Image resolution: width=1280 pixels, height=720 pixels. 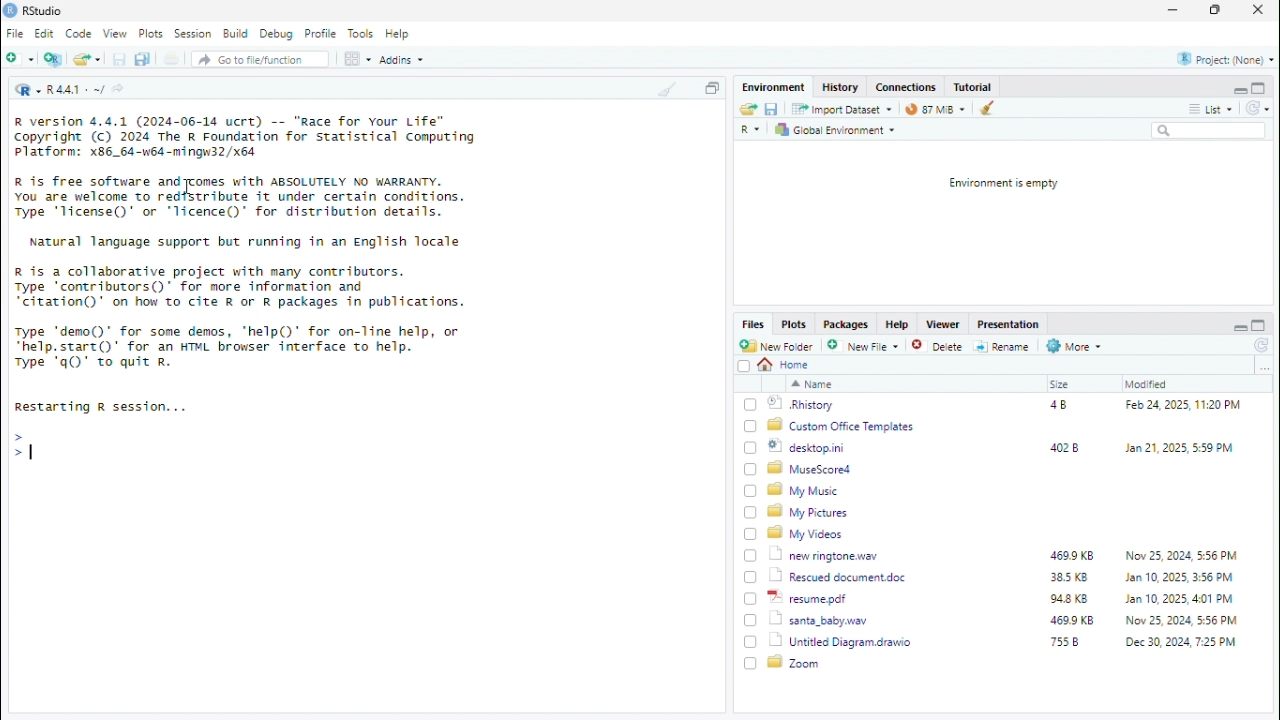 What do you see at coordinates (11, 11) in the screenshot?
I see `logo` at bounding box center [11, 11].